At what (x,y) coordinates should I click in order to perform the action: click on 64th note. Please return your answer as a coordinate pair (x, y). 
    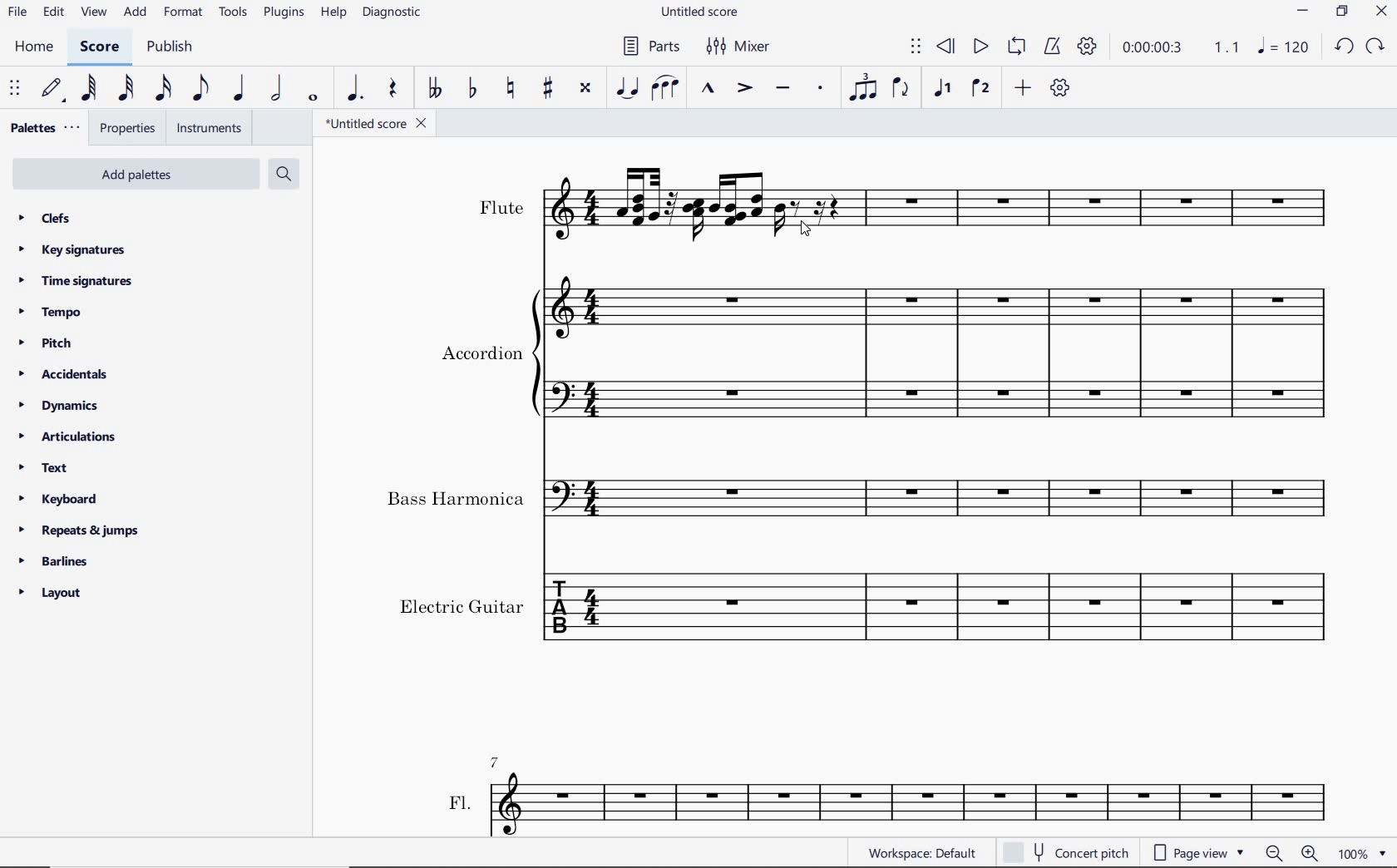
    Looking at the image, I should click on (87, 89).